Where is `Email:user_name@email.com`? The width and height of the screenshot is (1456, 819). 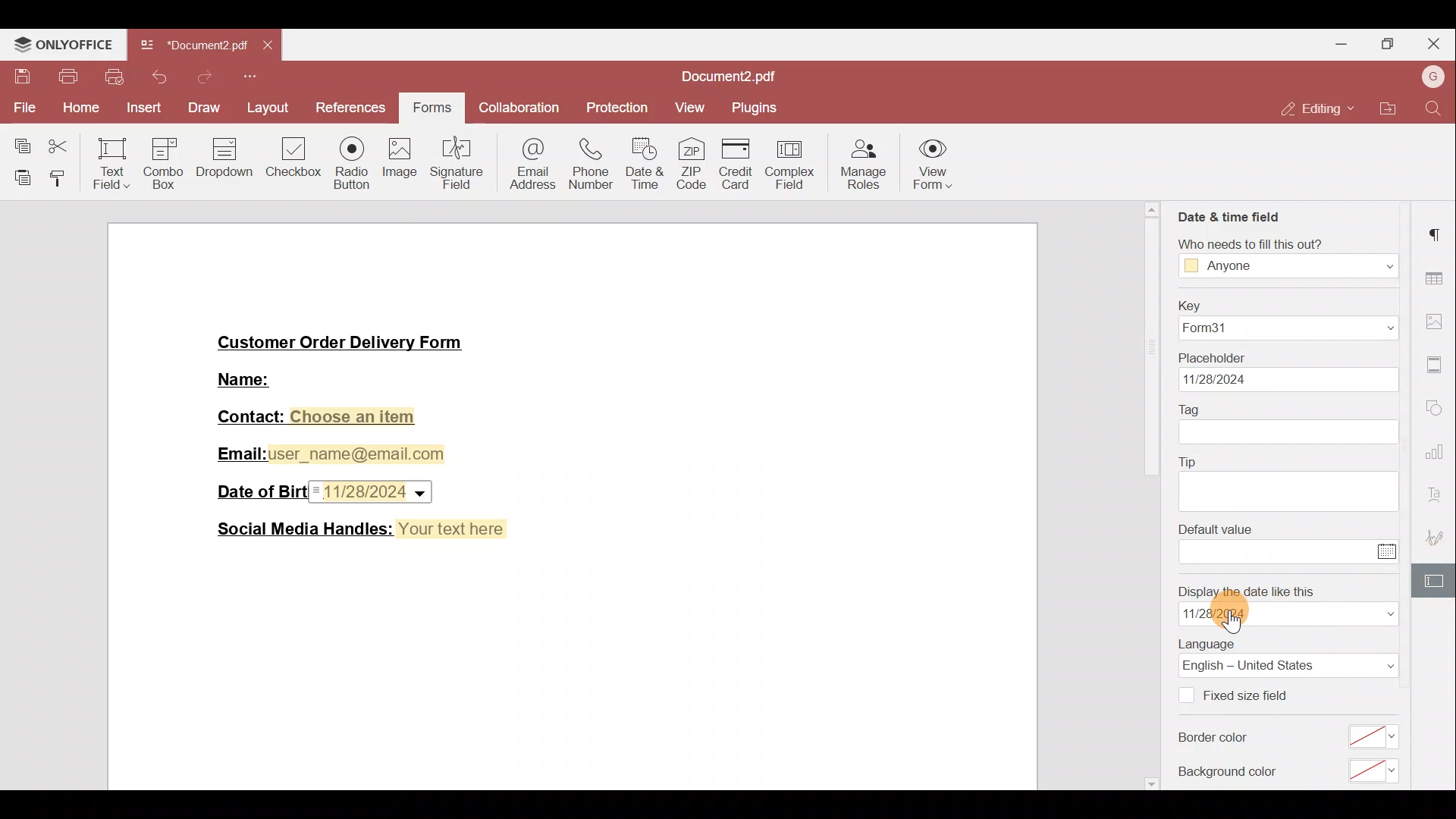
Email:user_name@email.com is located at coordinates (327, 454).